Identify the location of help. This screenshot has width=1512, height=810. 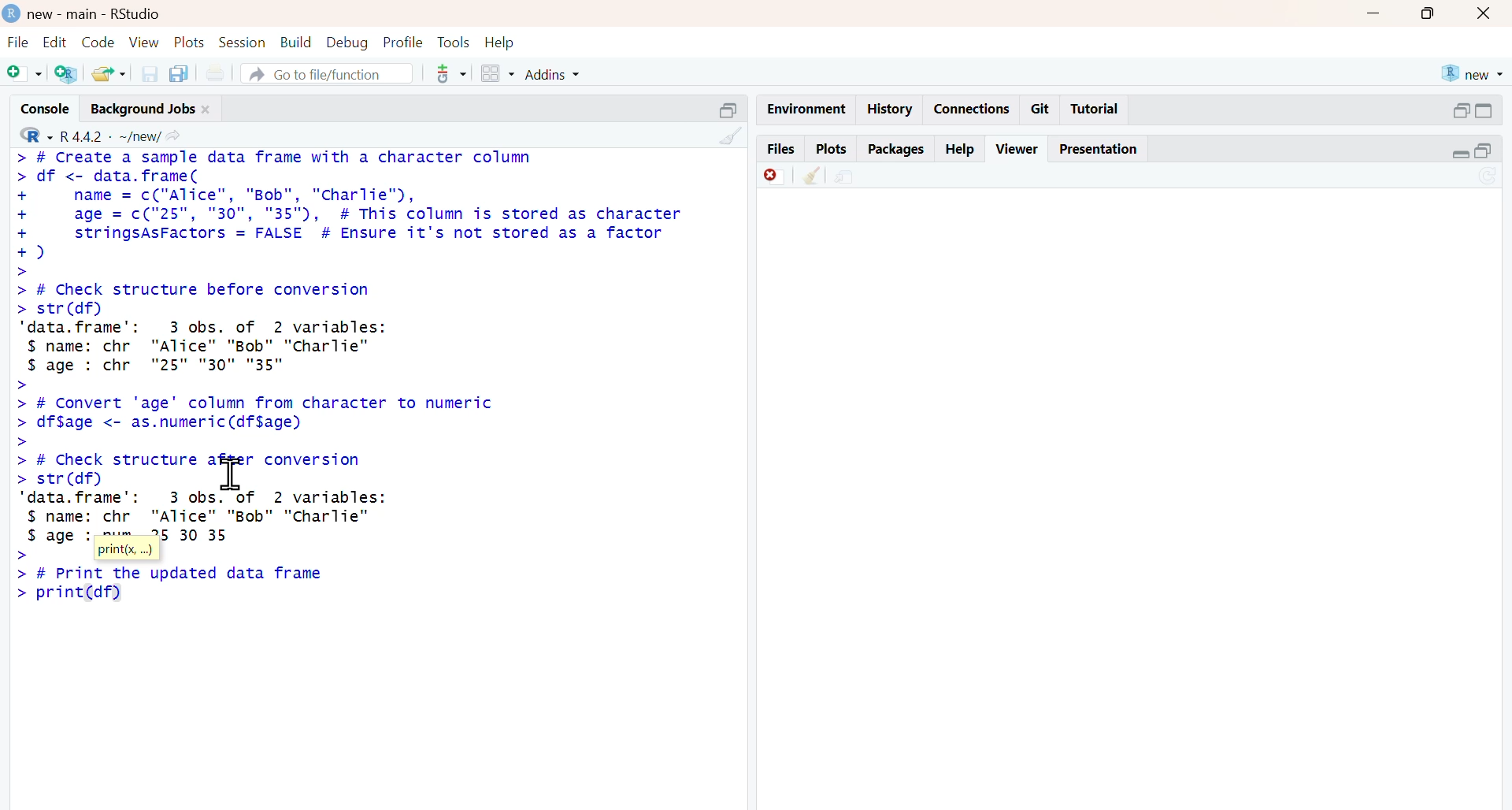
(961, 149).